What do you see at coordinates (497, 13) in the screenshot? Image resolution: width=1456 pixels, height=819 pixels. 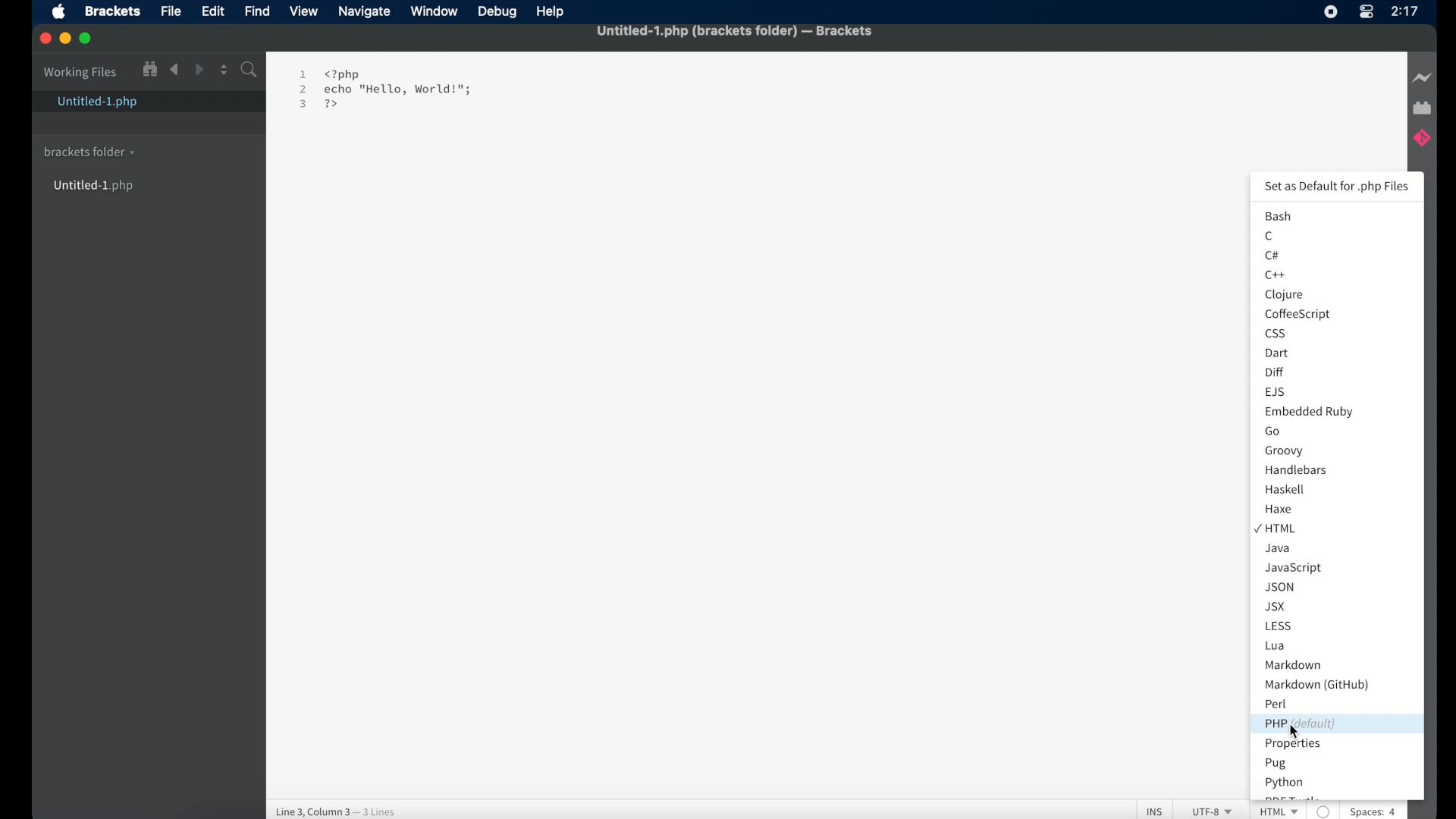 I see `debug` at bounding box center [497, 13].